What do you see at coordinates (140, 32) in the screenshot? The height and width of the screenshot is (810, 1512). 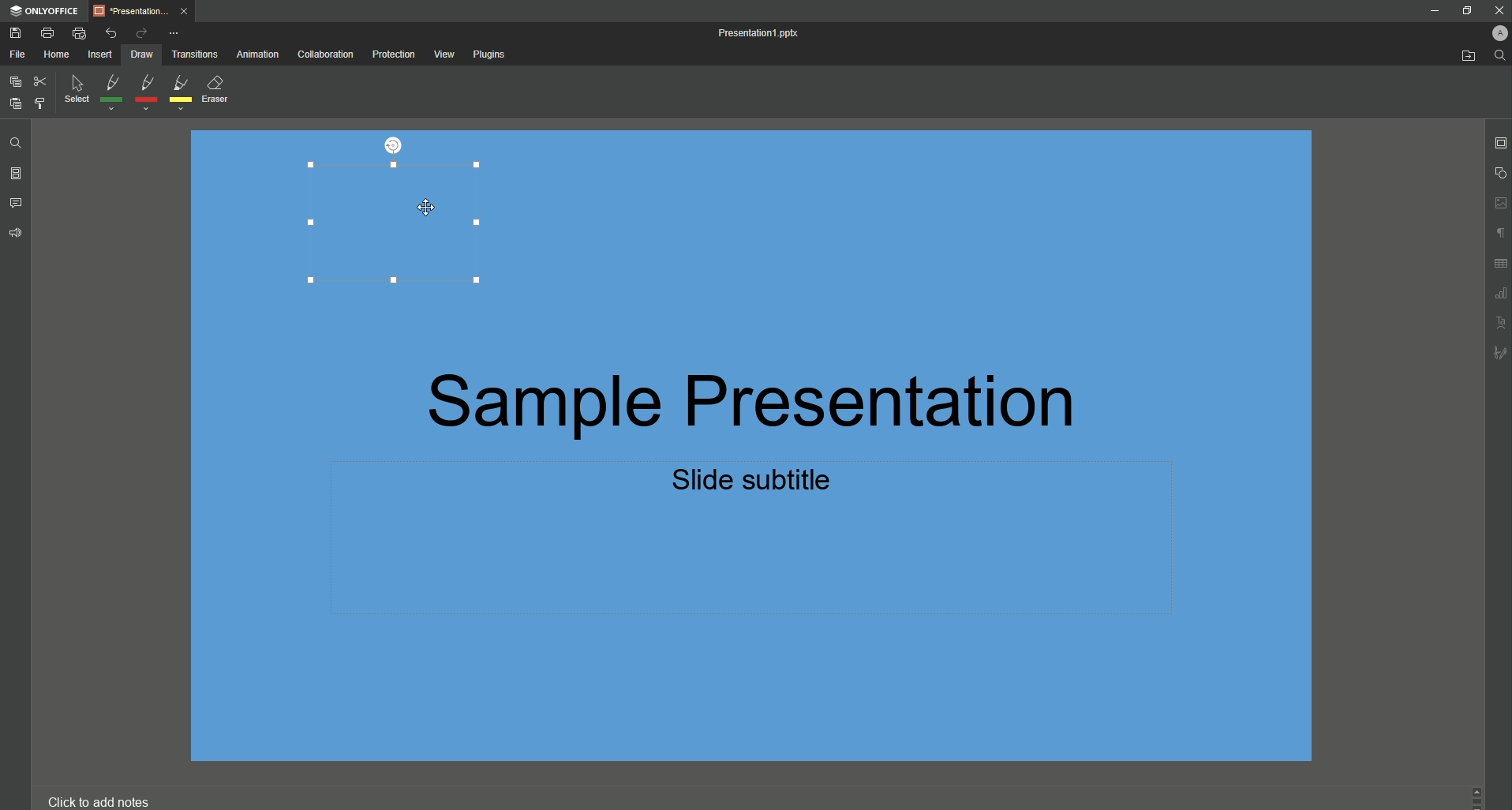 I see `Redo` at bounding box center [140, 32].